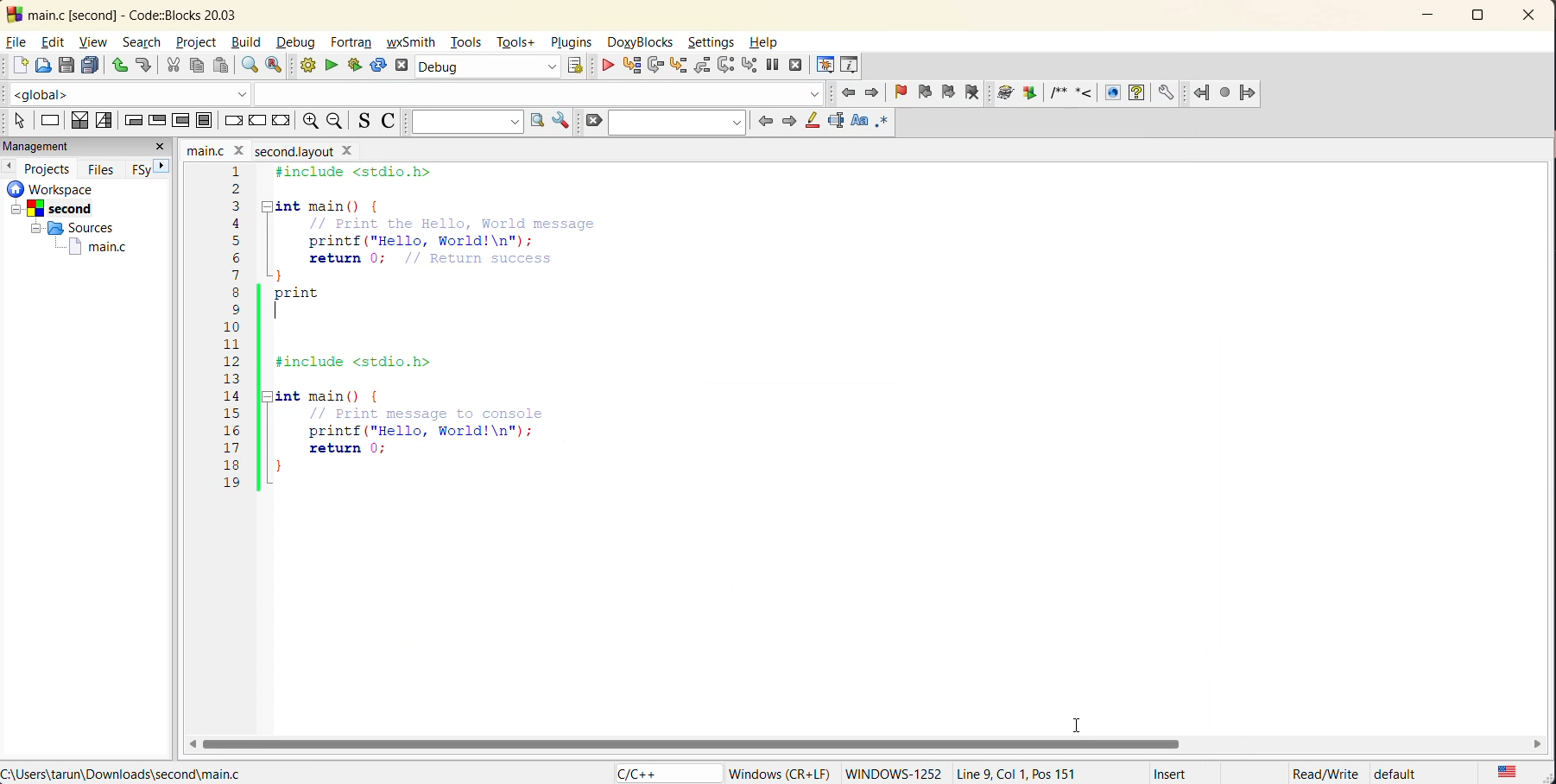 This screenshot has height=784, width=1556. Describe the element at coordinates (775, 66) in the screenshot. I see `break debugger` at that location.